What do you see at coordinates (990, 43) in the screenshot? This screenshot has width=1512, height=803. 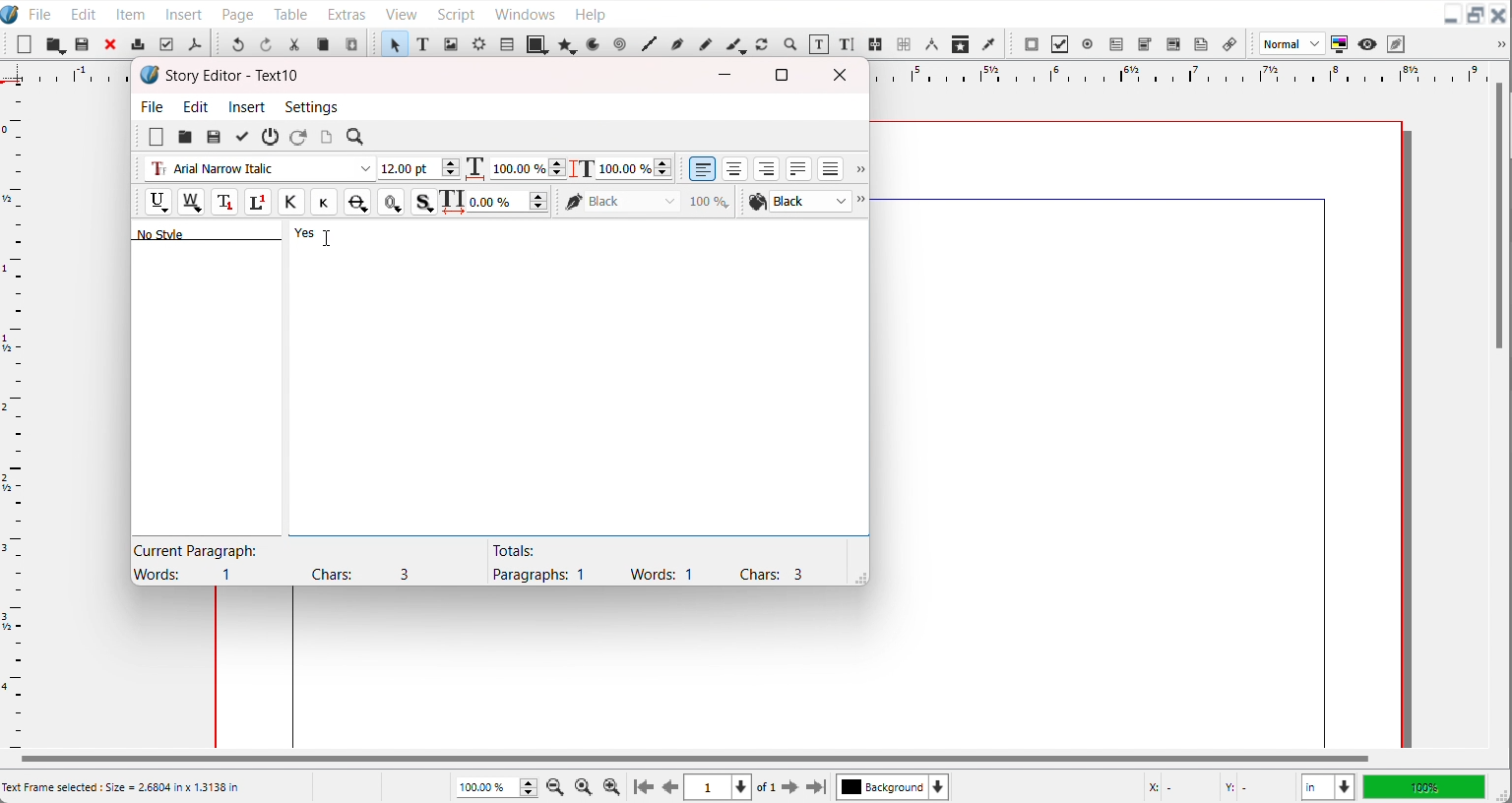 I see `Eye Dropper` at bounding box center [990, 43].